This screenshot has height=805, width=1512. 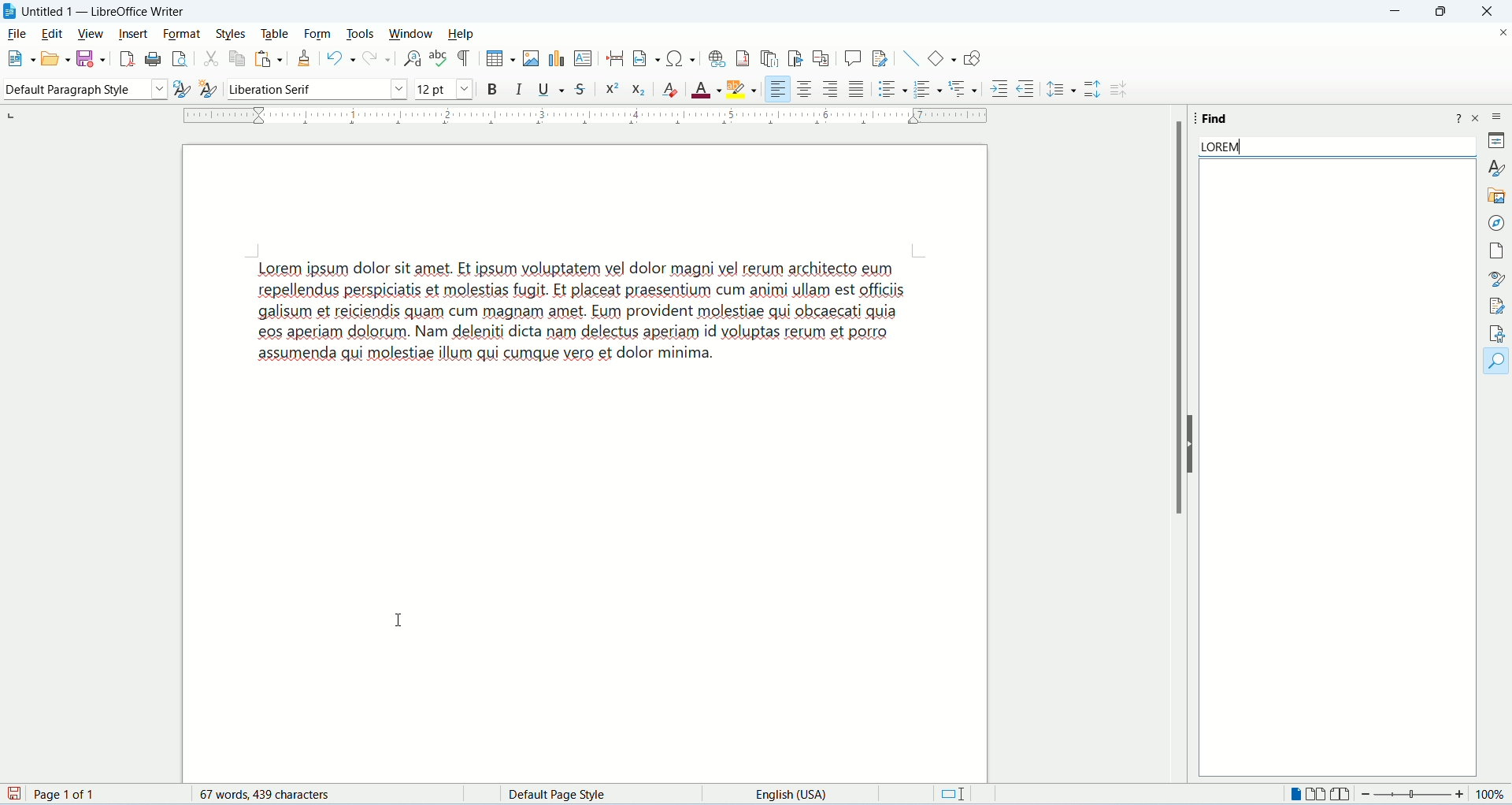 I want to click on align center, so click(x=805, y=90).